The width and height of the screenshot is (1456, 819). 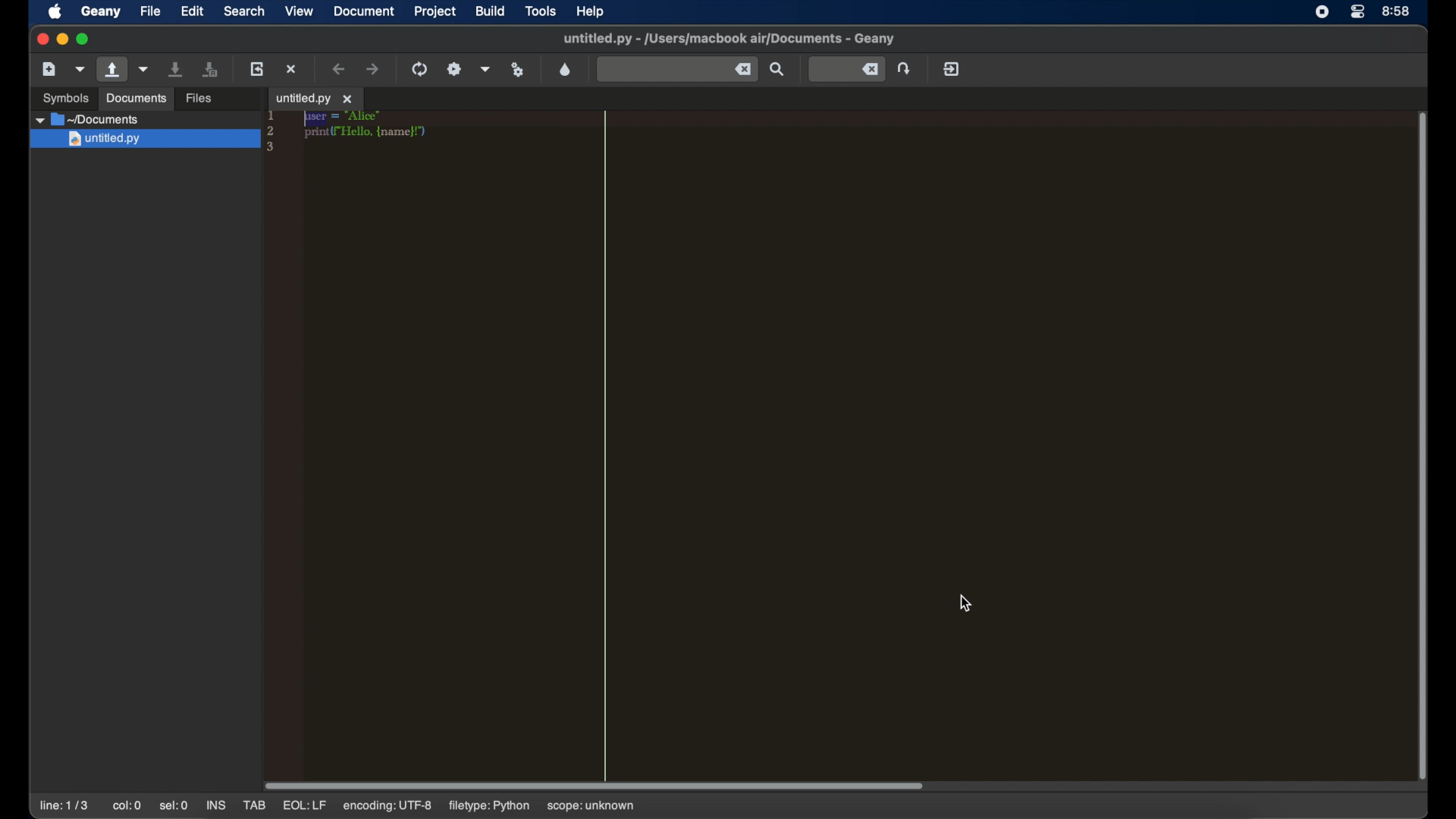 I want to click on run or view current file, so click(x=518, y=70).